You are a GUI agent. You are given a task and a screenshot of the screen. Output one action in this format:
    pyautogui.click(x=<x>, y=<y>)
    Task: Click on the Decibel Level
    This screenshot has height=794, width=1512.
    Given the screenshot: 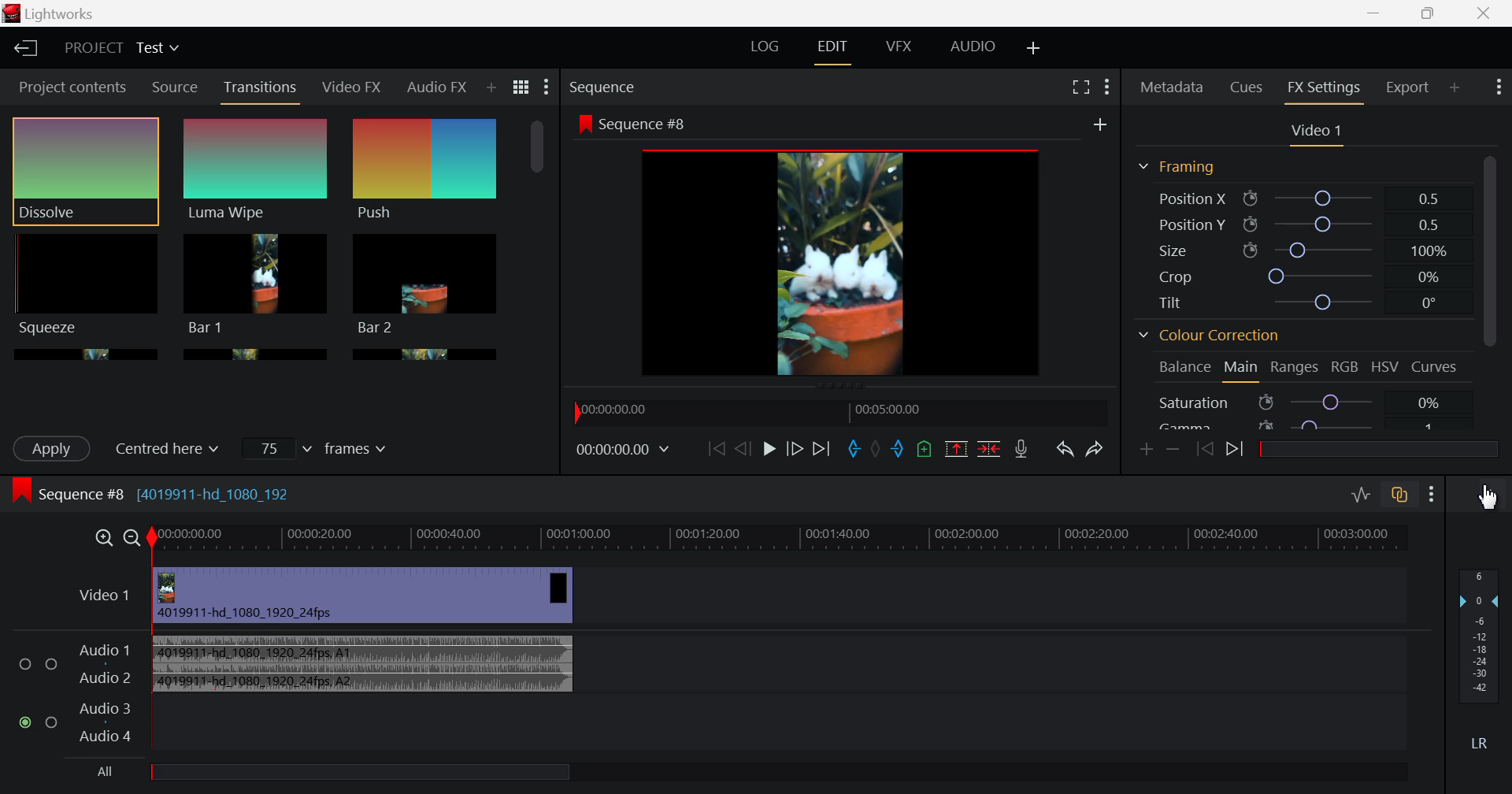 What is the action you would take?
    pyautogui.click(x=1480, y=666)
    